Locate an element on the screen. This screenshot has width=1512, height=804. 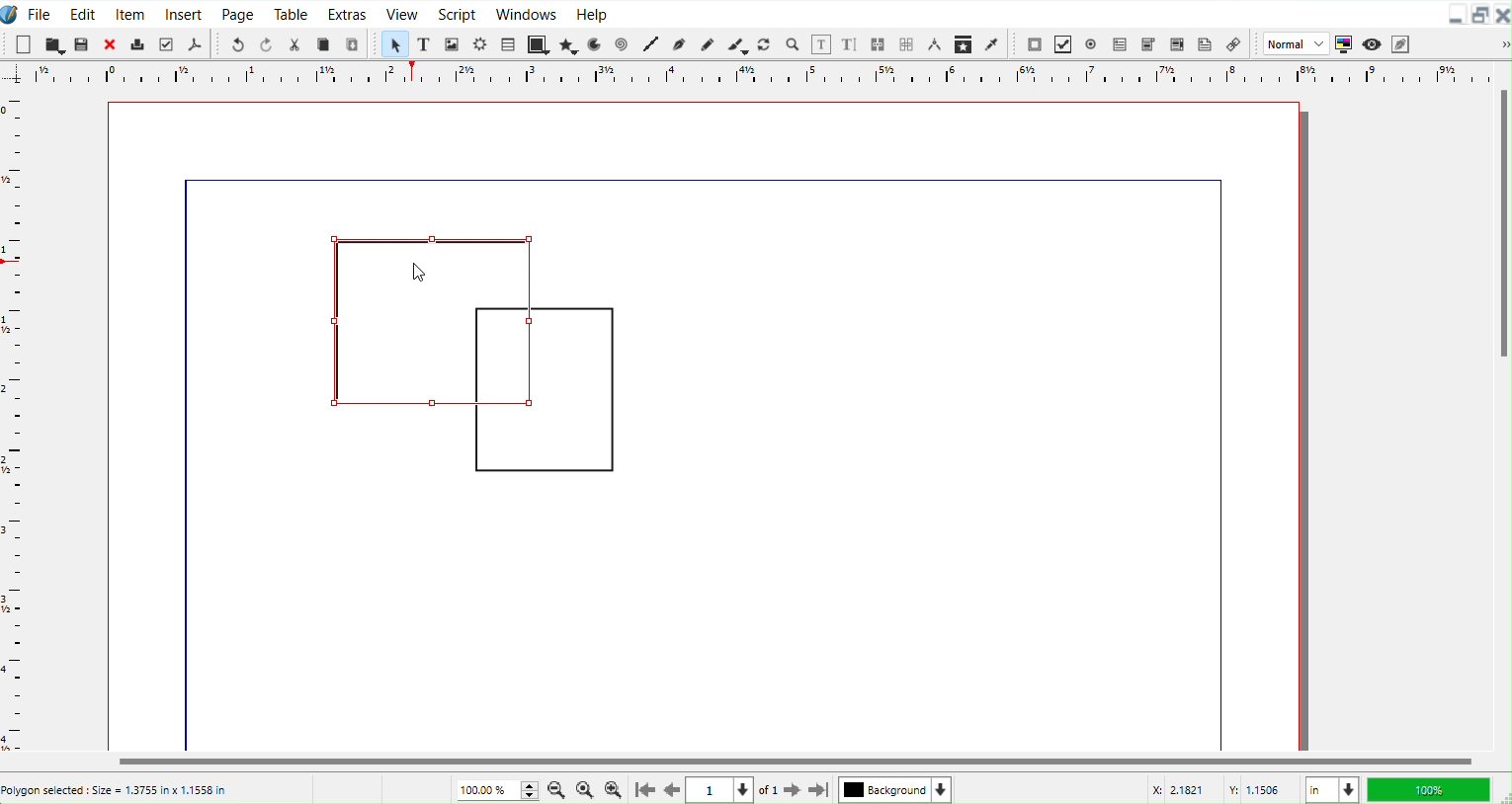
Select current page is located at coordinates (721, 790).